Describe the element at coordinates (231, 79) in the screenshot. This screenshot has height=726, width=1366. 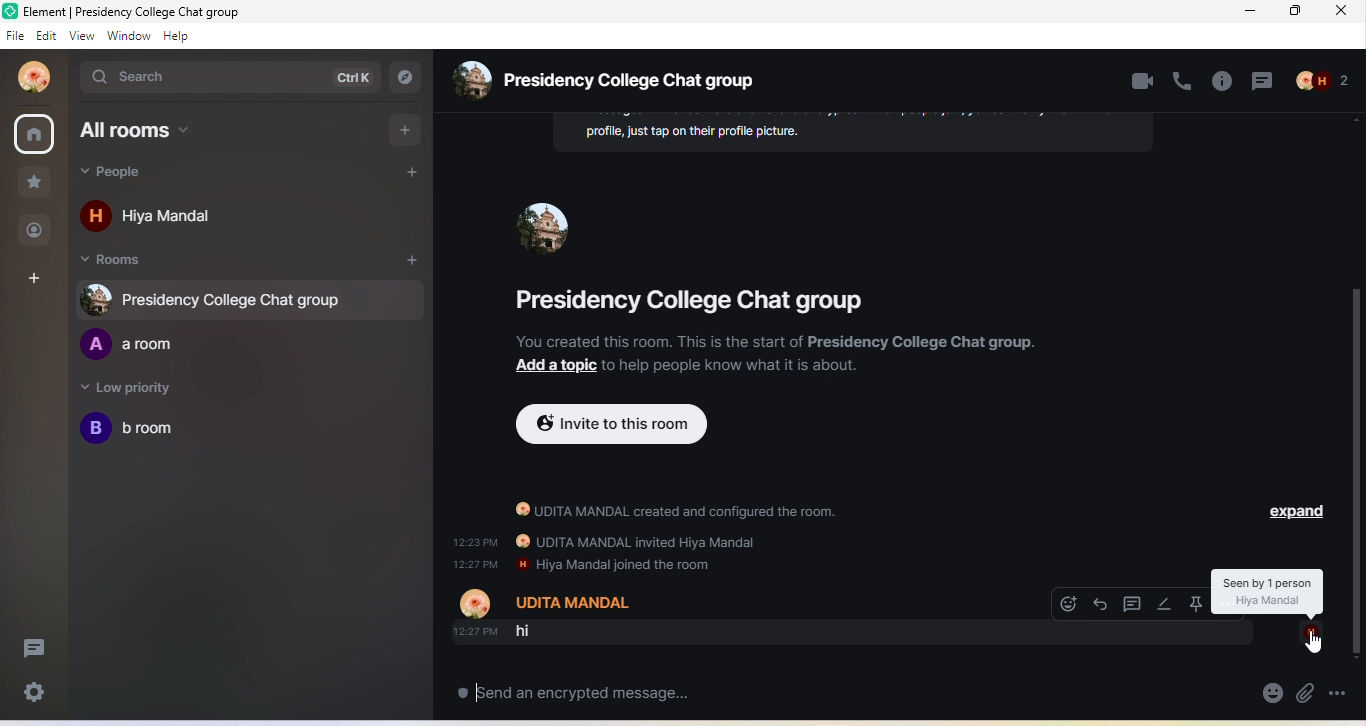
I see `search` at that location.